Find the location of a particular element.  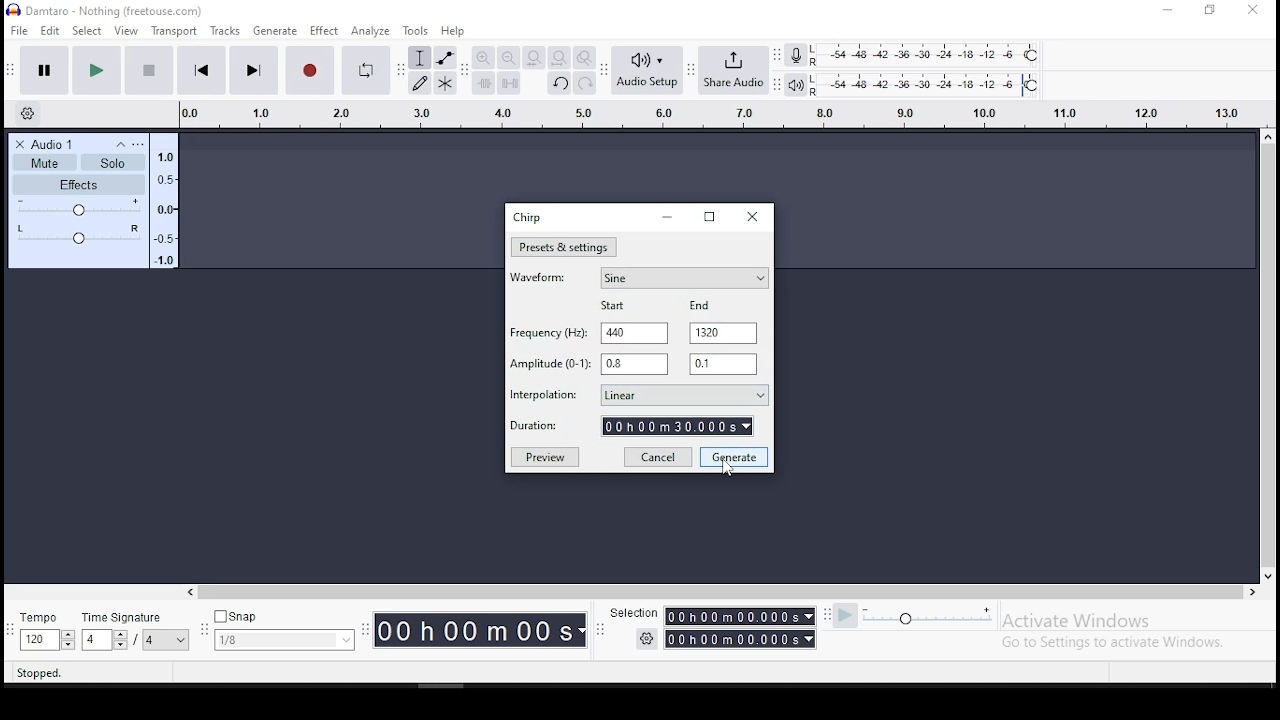

zoom toggle is located at coordinates (585, 57).